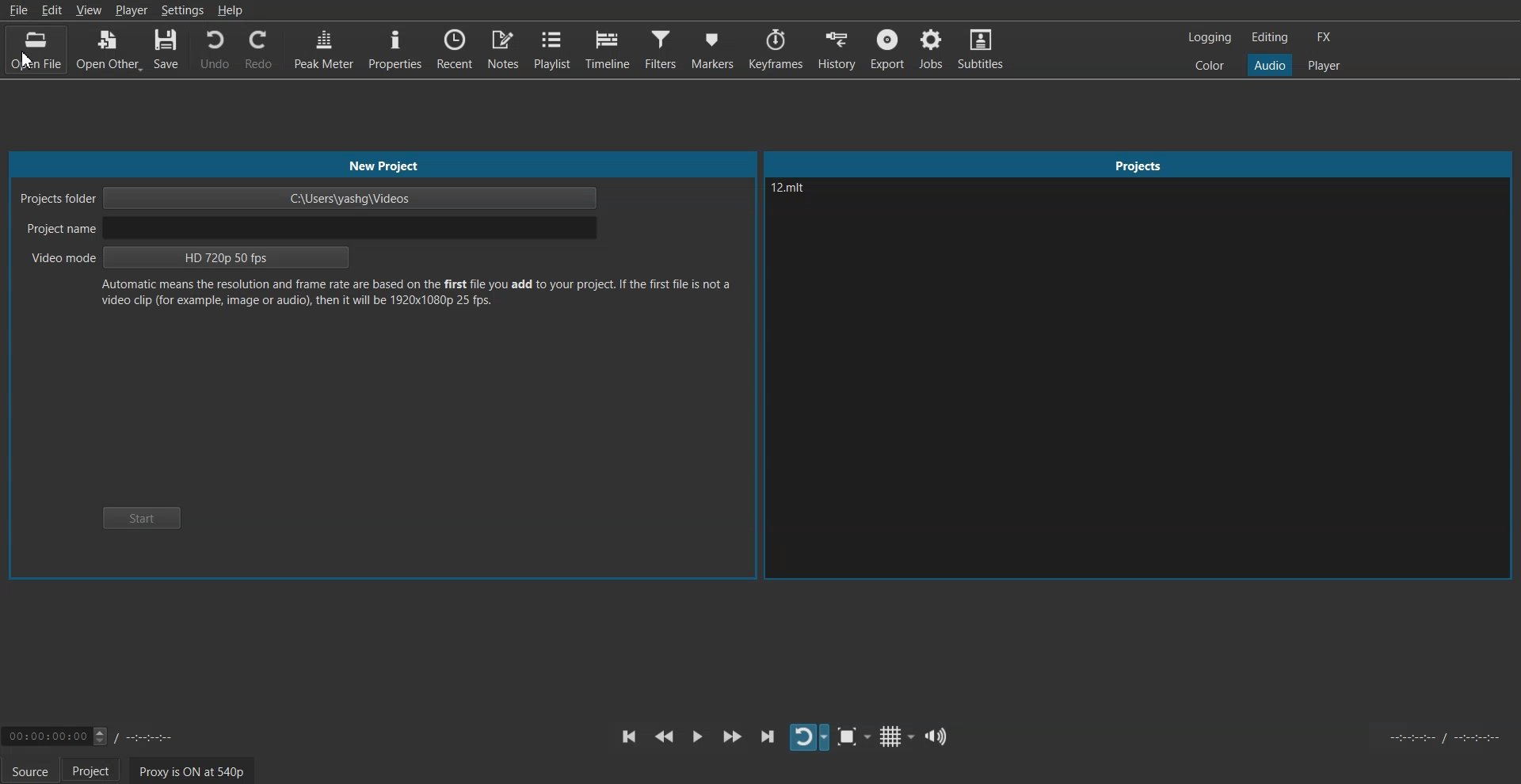 Image resolution: width=1521 pixels, height=784 pixels. I want to click on Project Name, so click(310, 230).